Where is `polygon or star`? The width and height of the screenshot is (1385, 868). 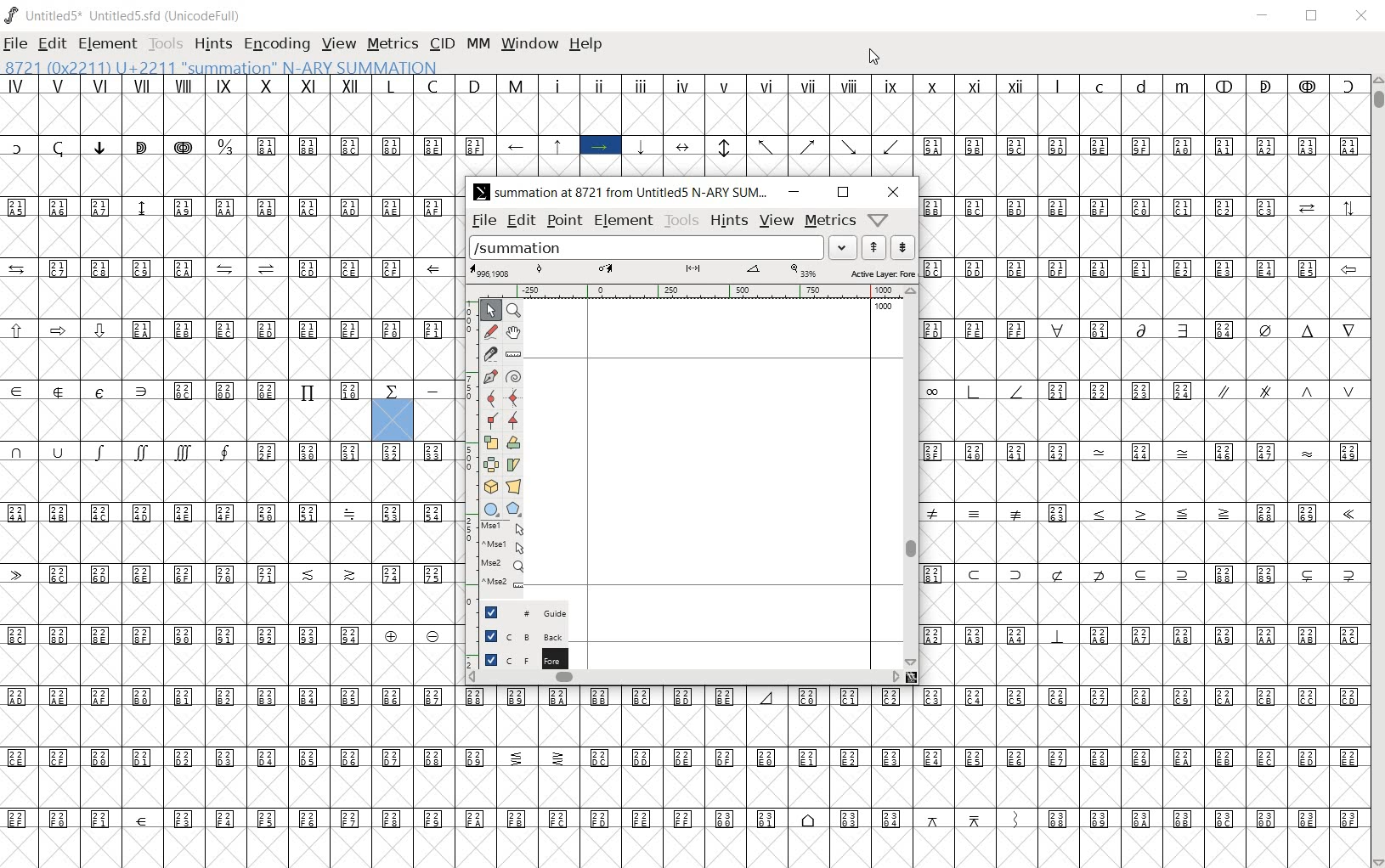 polygon or star is located at coordinates (514, 508).